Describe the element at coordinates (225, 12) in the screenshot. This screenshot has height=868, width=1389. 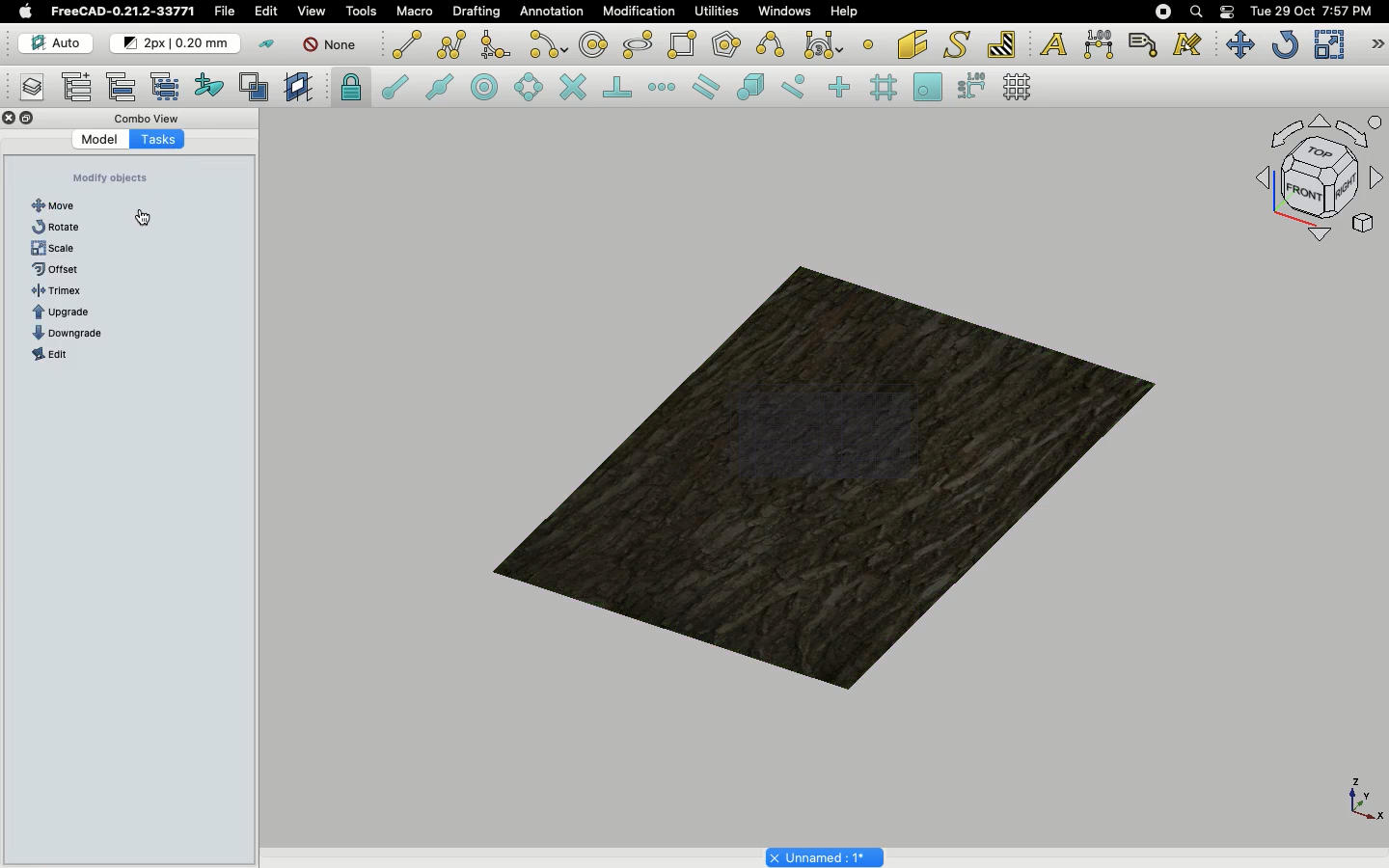
I see `File` at that location.